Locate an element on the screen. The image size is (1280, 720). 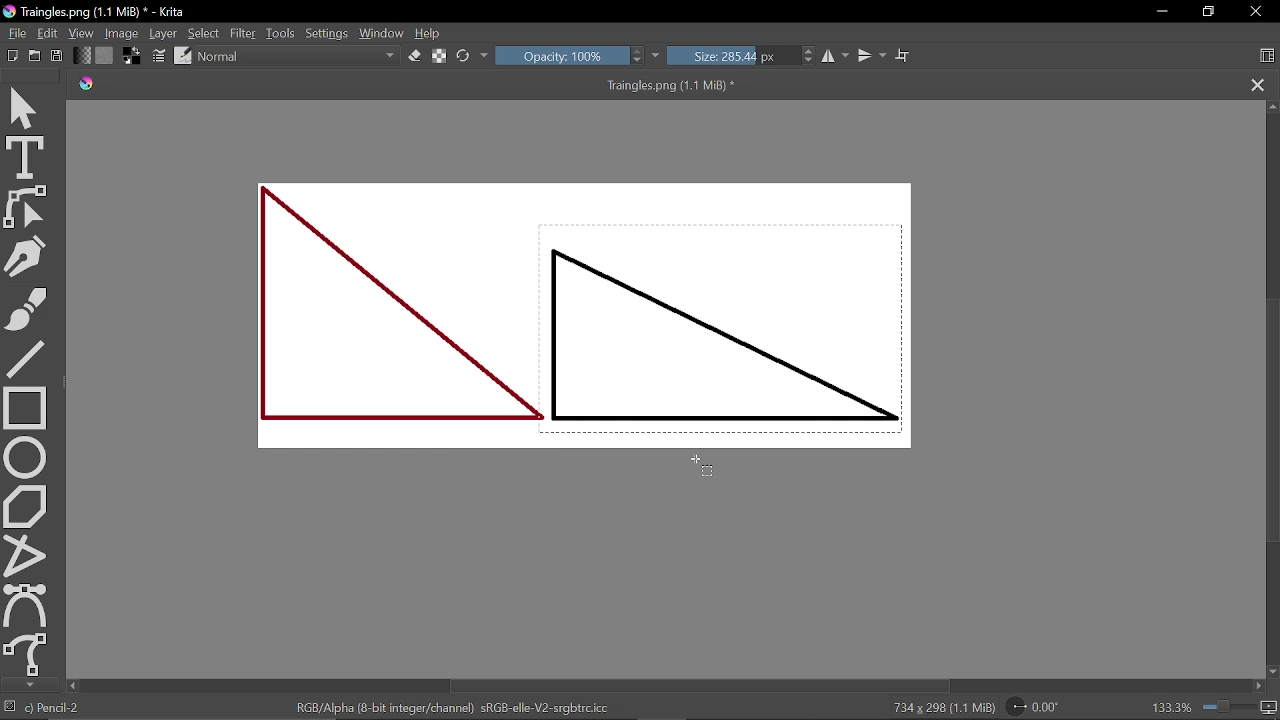
Edit brush preset is located at coordinates (184, 57).